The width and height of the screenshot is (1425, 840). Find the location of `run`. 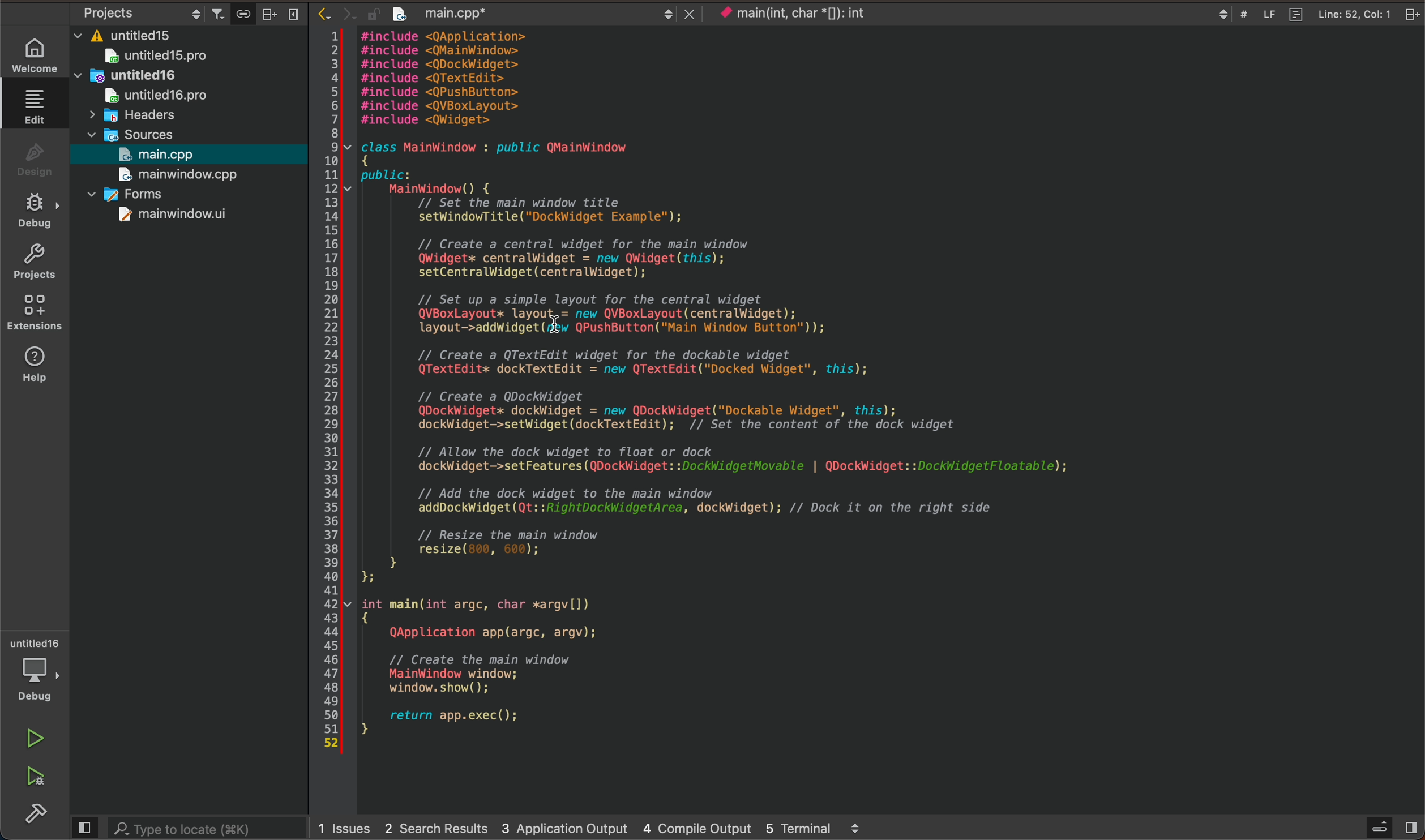

run is located at coordinates (33, 738).